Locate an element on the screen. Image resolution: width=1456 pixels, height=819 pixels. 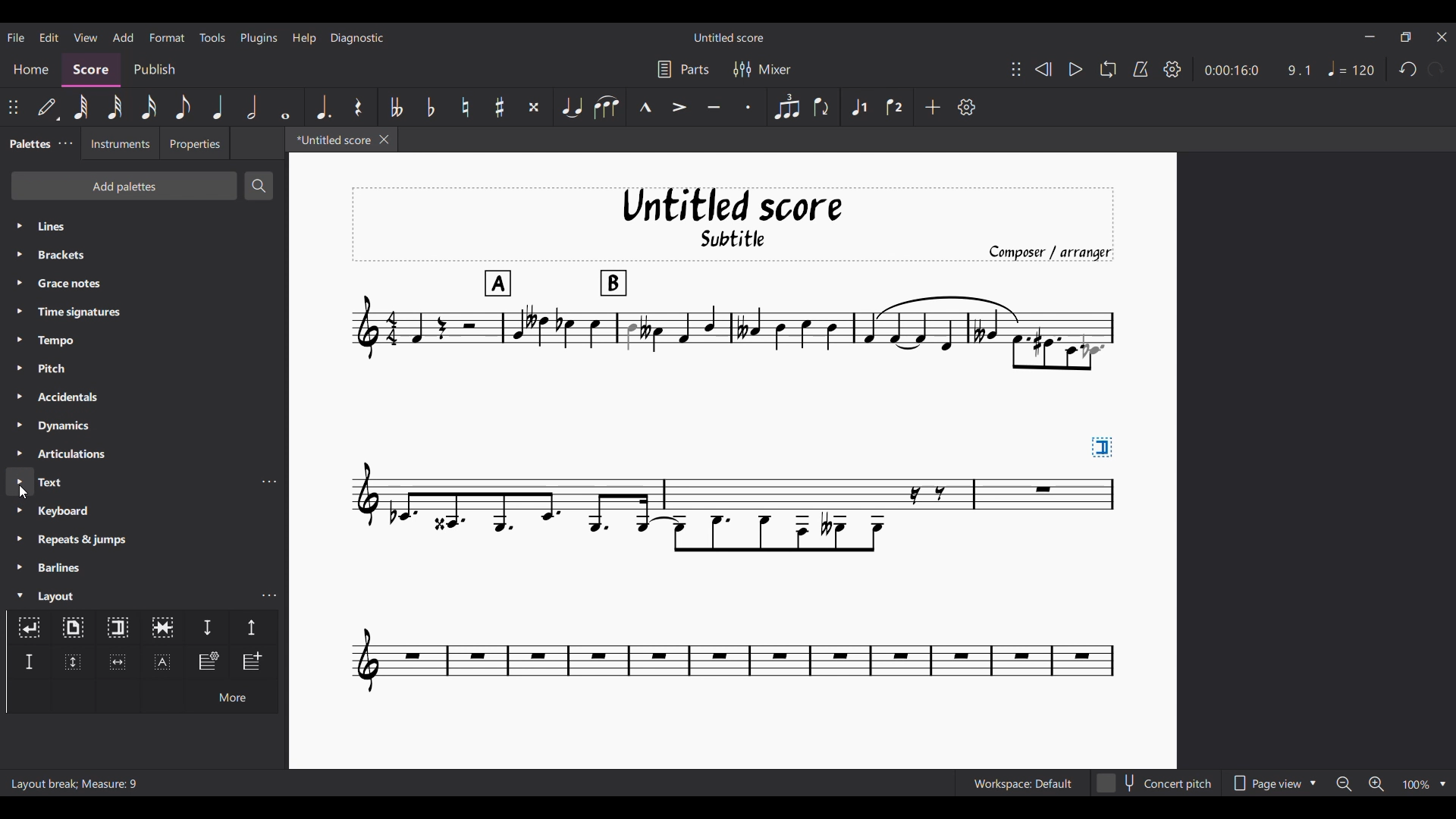
Staccato is located at coordinates (748, 107).